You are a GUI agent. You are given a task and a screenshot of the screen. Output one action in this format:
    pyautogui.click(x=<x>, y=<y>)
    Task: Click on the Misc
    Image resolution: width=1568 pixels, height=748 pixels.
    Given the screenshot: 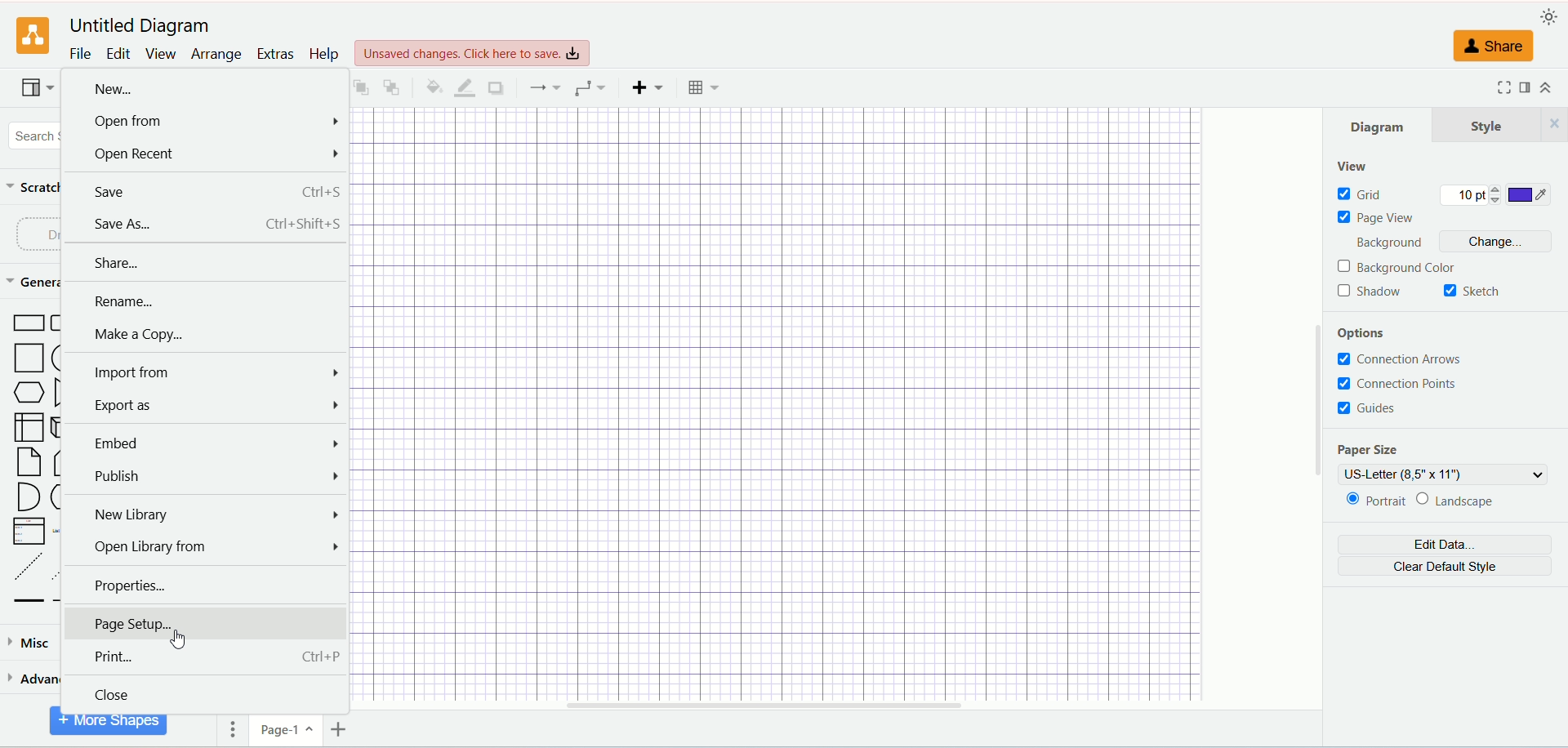 What is the action you would take?
    pyautogui.click(x=31, y=643)
    